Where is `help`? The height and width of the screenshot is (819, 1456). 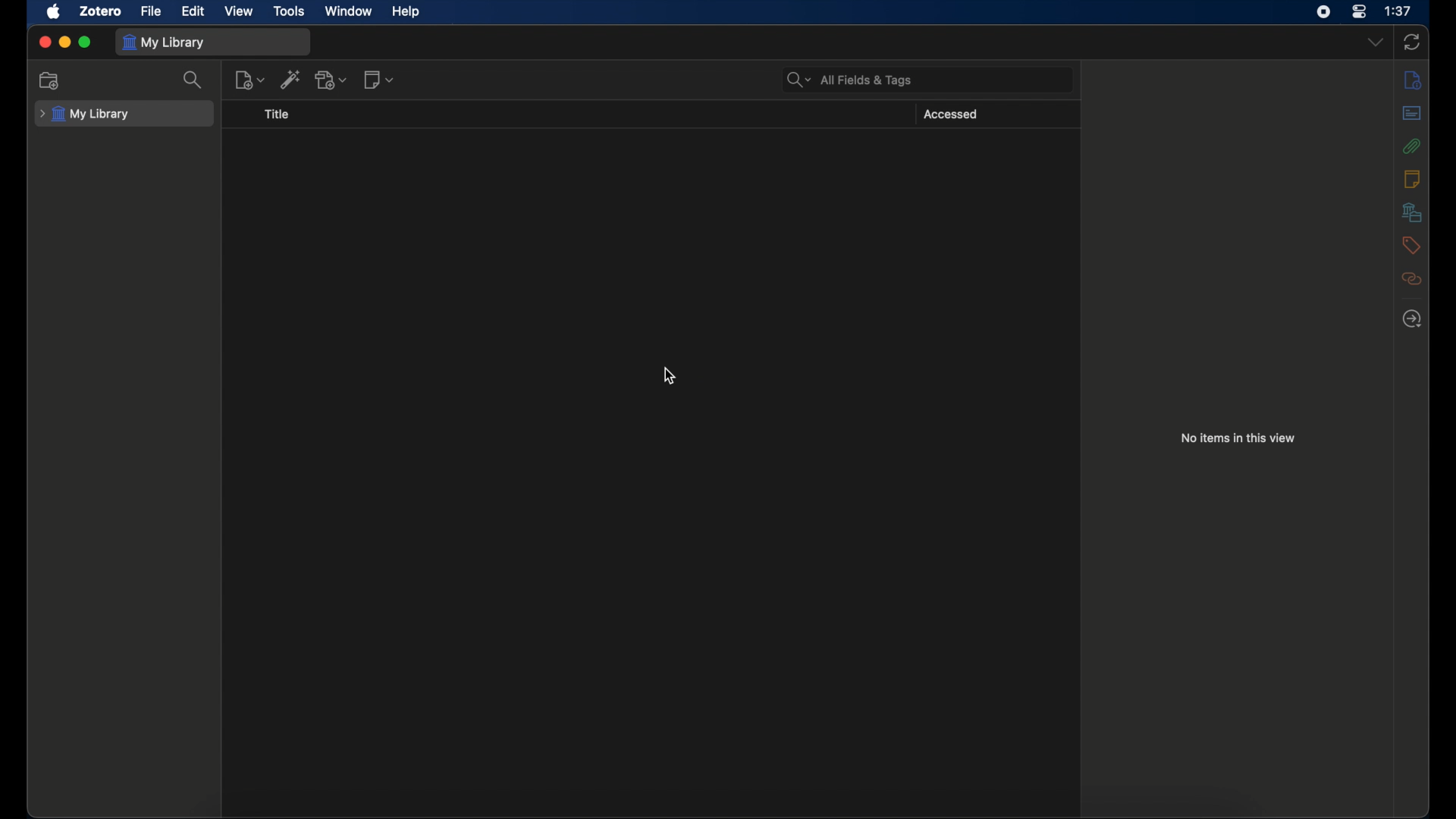
help is located at coordinates (407, 13).